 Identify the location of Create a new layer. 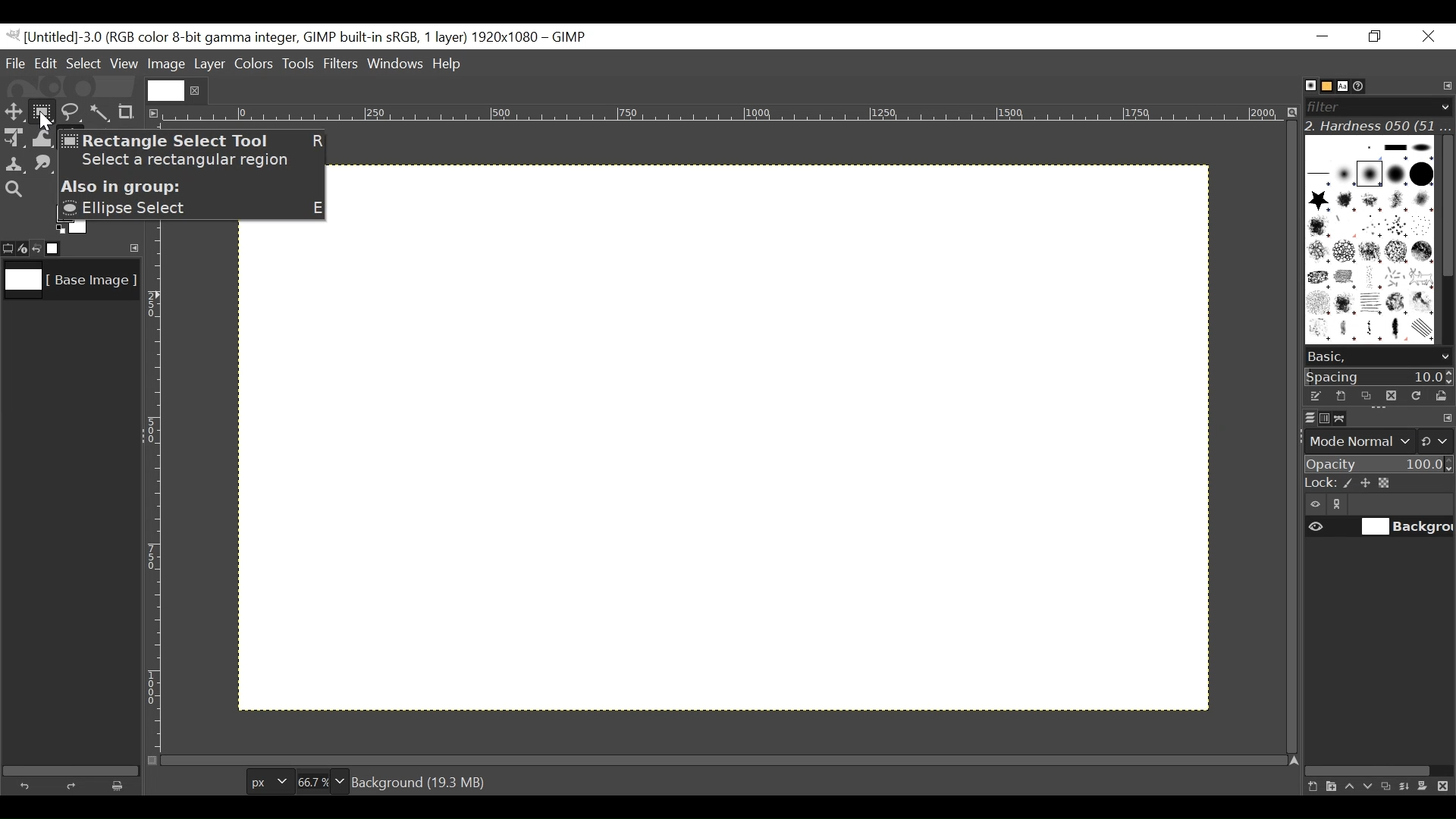
(1330, 786).